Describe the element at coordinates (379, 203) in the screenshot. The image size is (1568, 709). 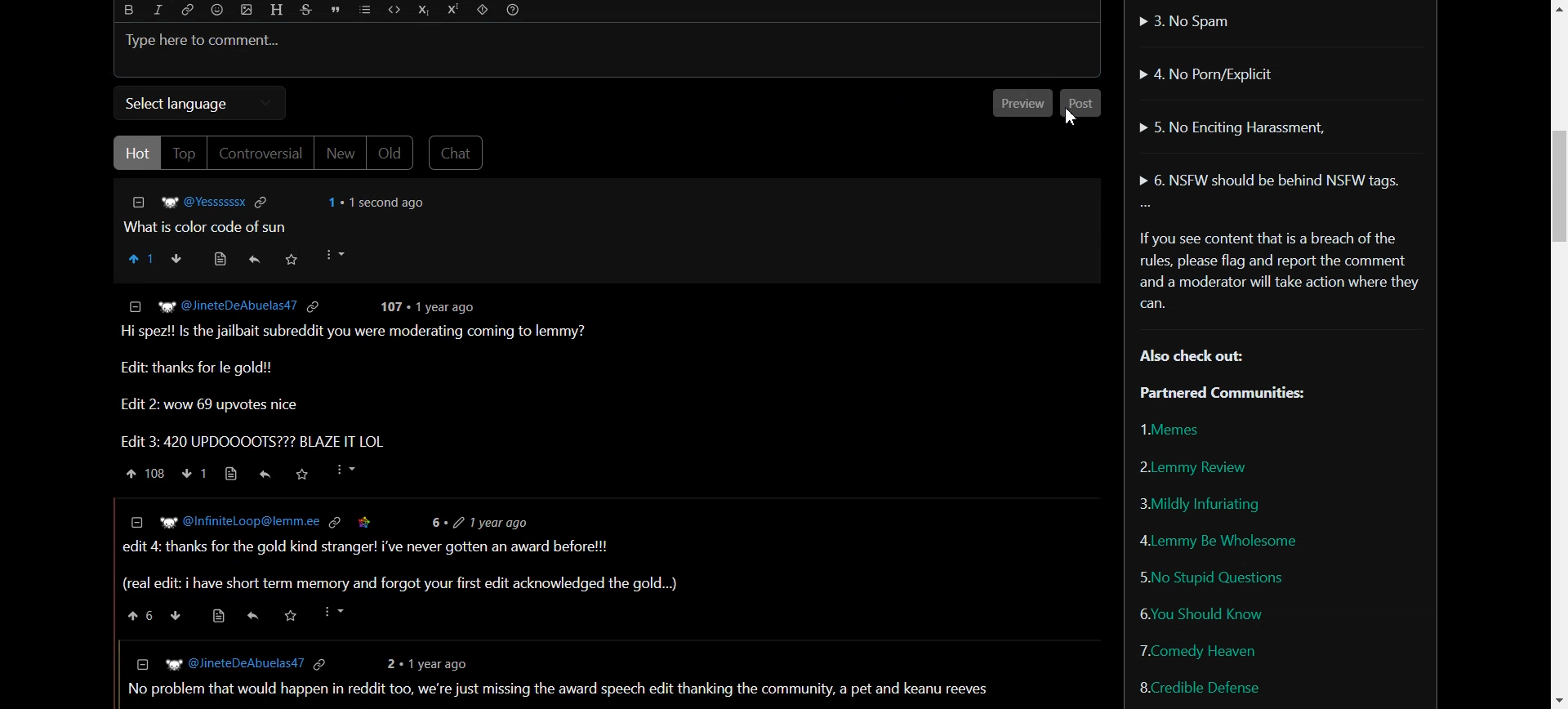
I see `1 + 1 second ago` at that location.